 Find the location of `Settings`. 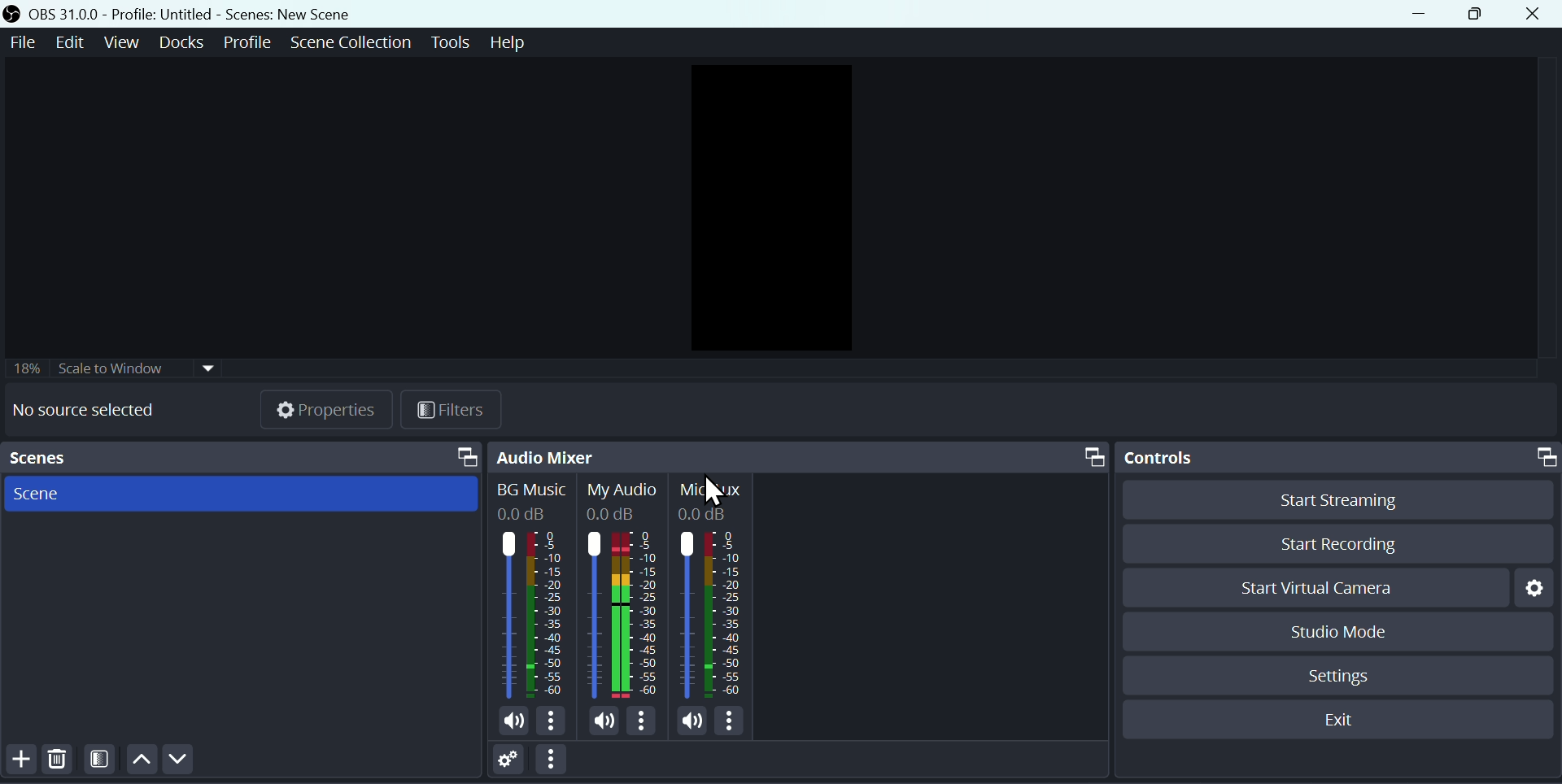

Settings is located at coordinates (1530, 588).